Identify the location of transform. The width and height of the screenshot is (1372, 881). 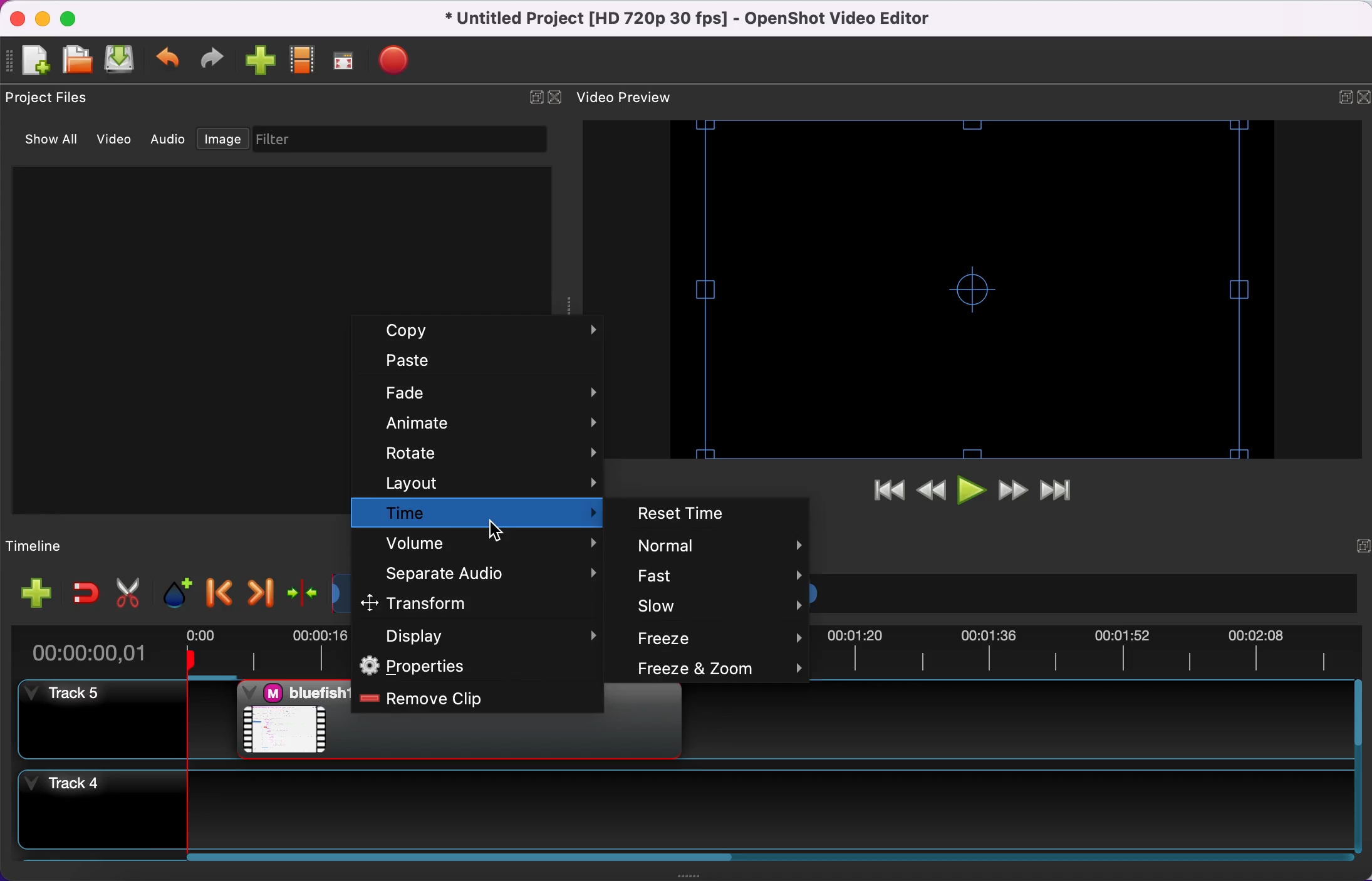
(469, 603).